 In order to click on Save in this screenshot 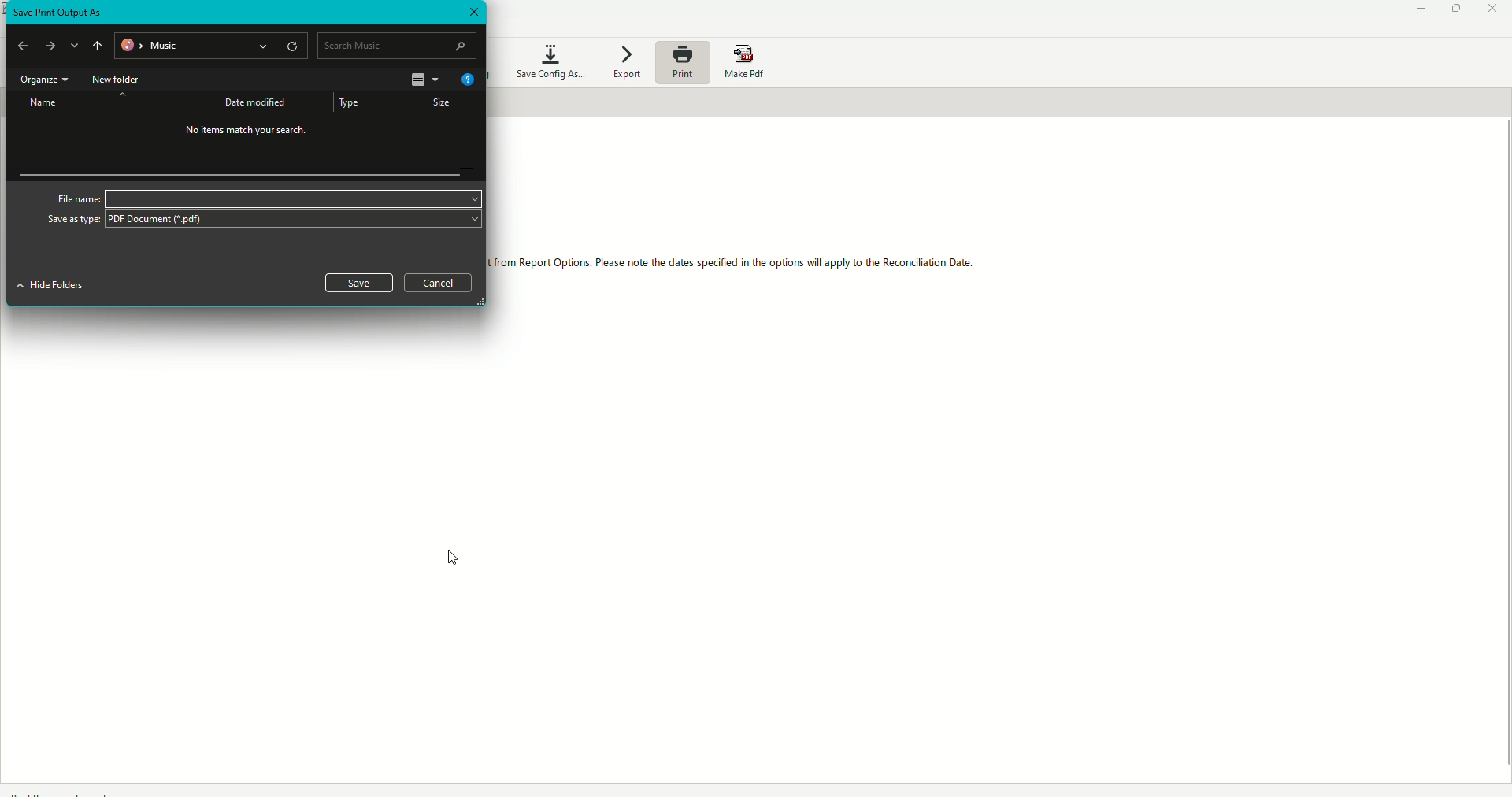, I will do `click(357, 281)`.